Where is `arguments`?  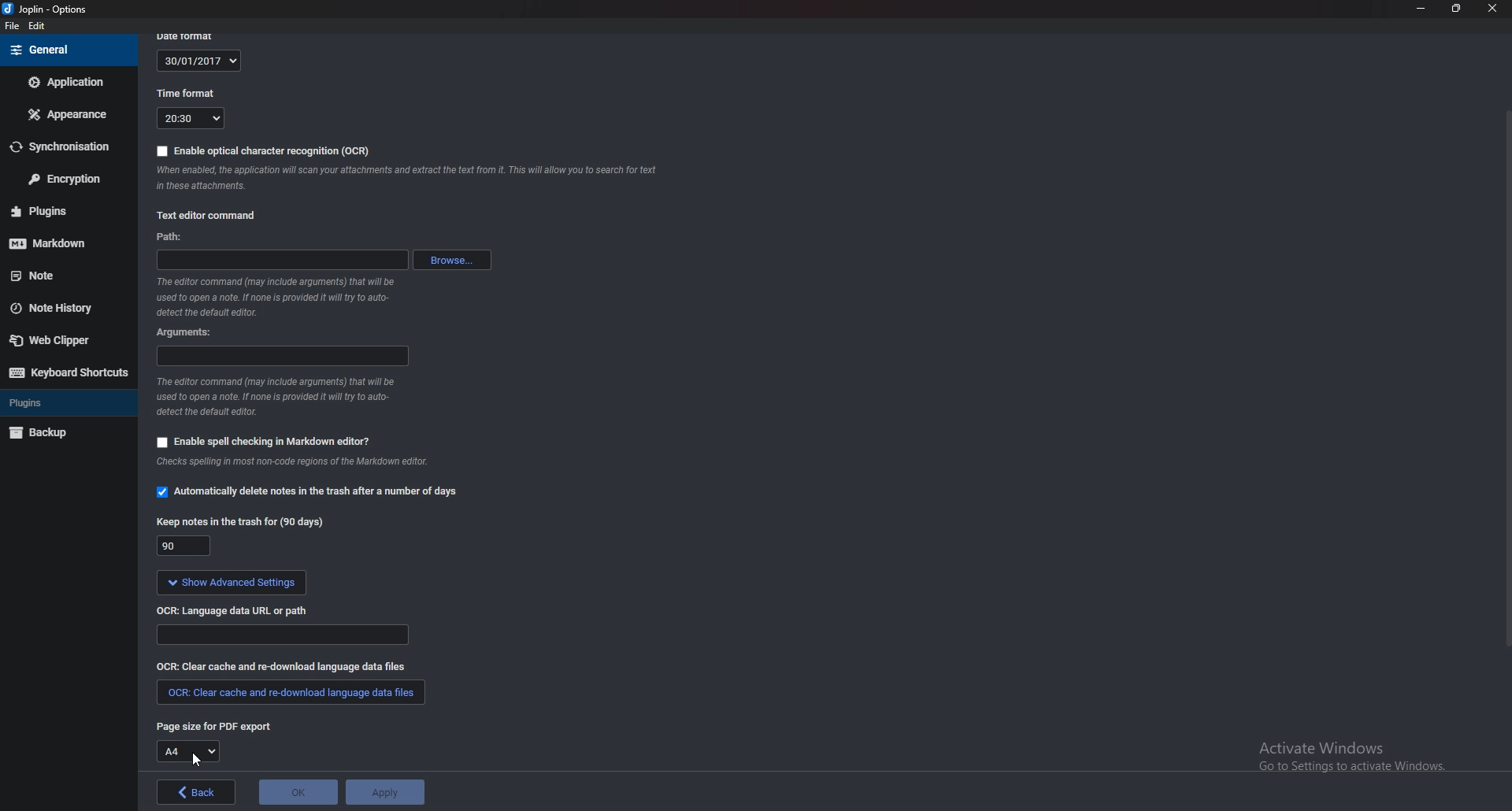
arguments is located at coordinates (280, 357).